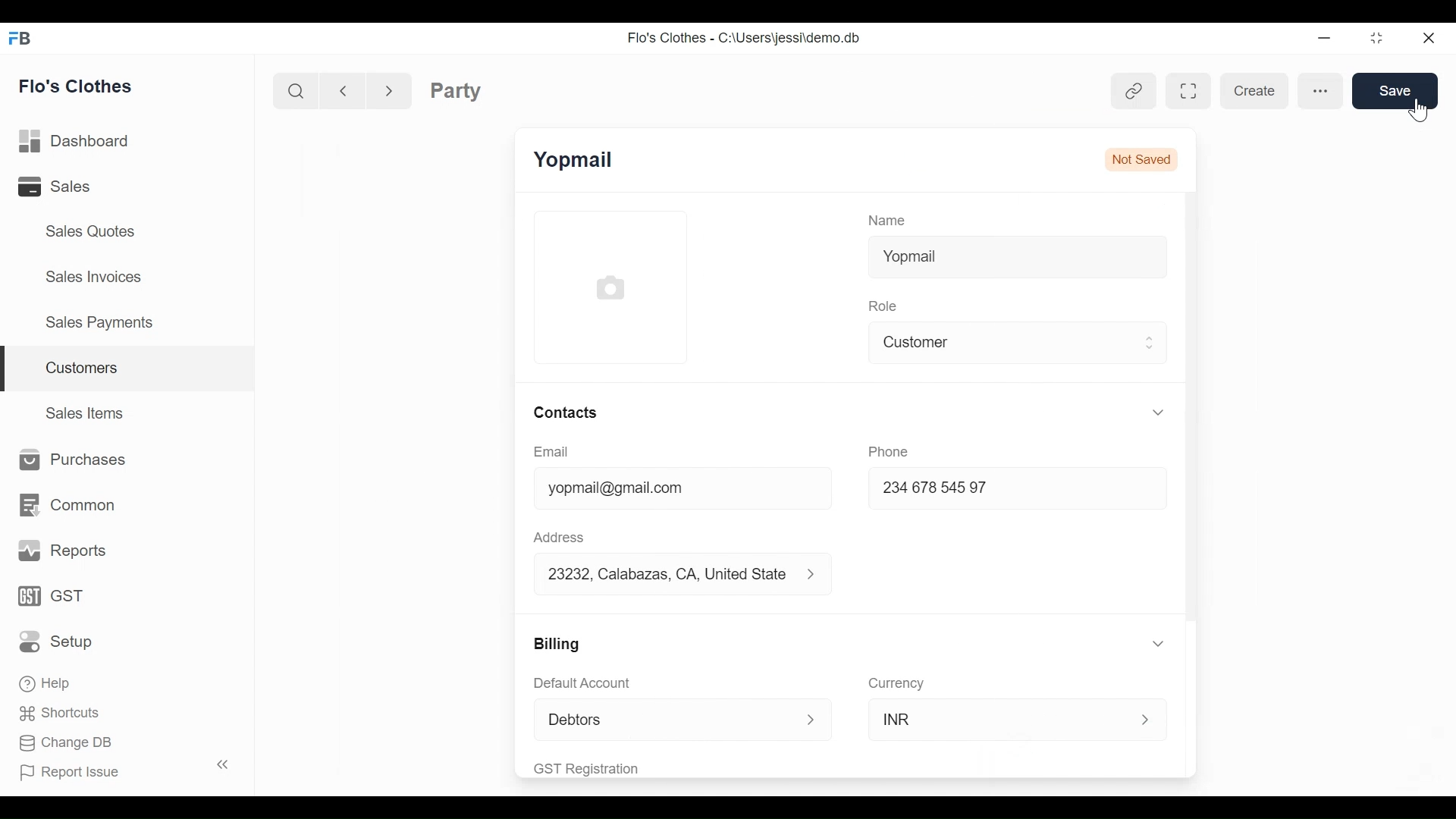  Describe the element at coordinates (1320, 92) in the screenshot. I see `more` at that location.